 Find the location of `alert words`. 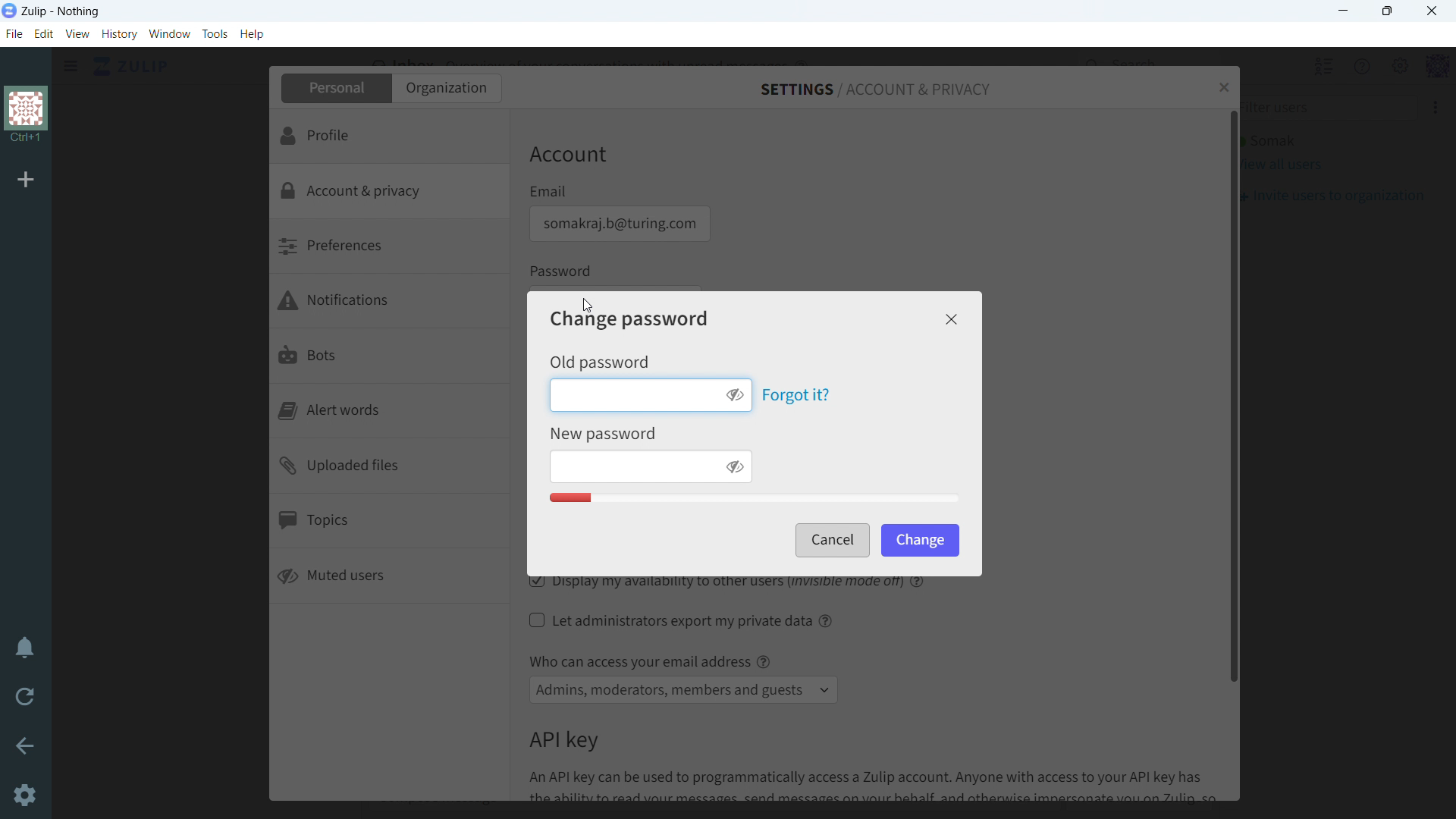

alert words is located at coordinates (391, 411).